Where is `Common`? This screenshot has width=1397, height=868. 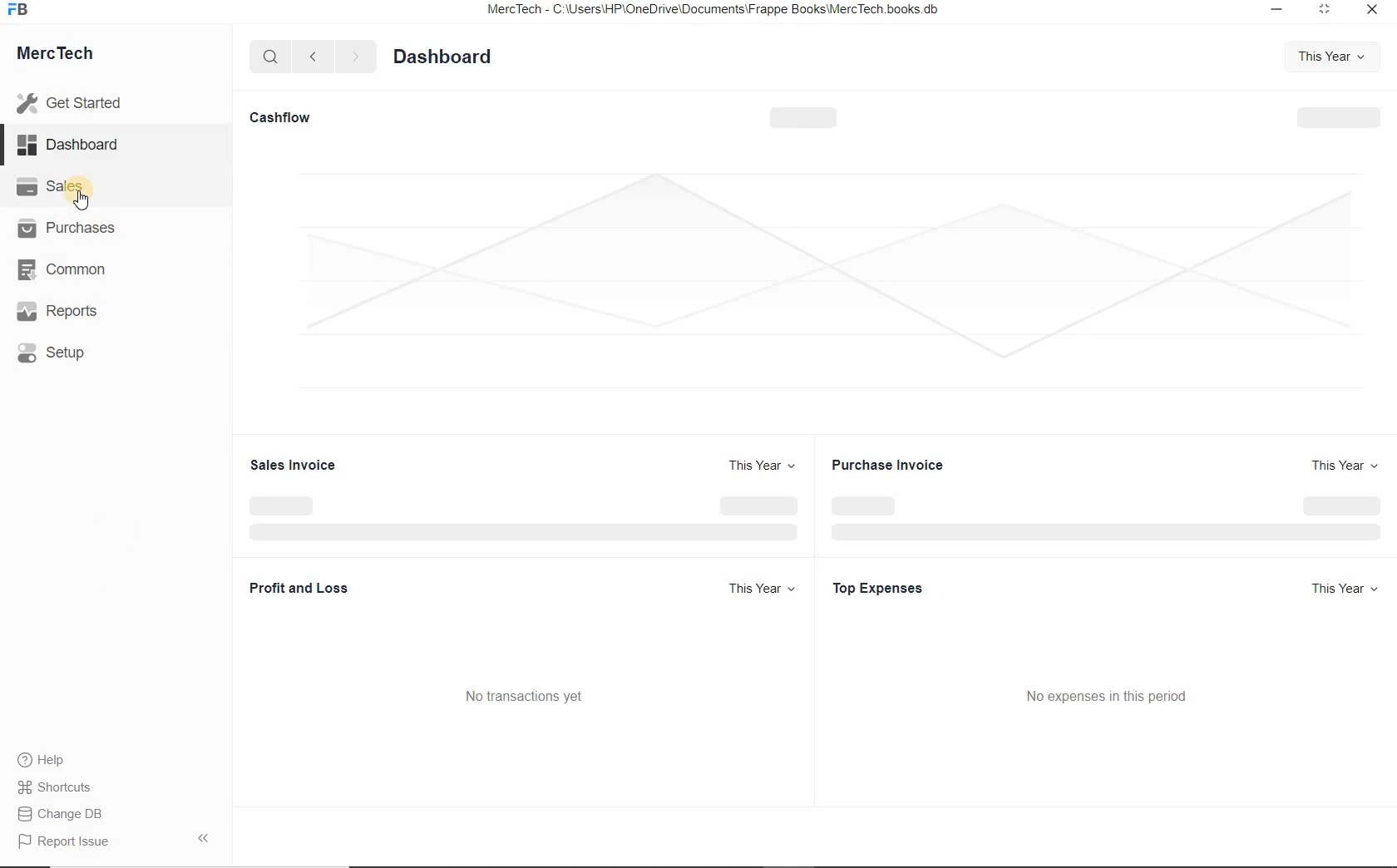
Common is located at coordinates (63, 270).